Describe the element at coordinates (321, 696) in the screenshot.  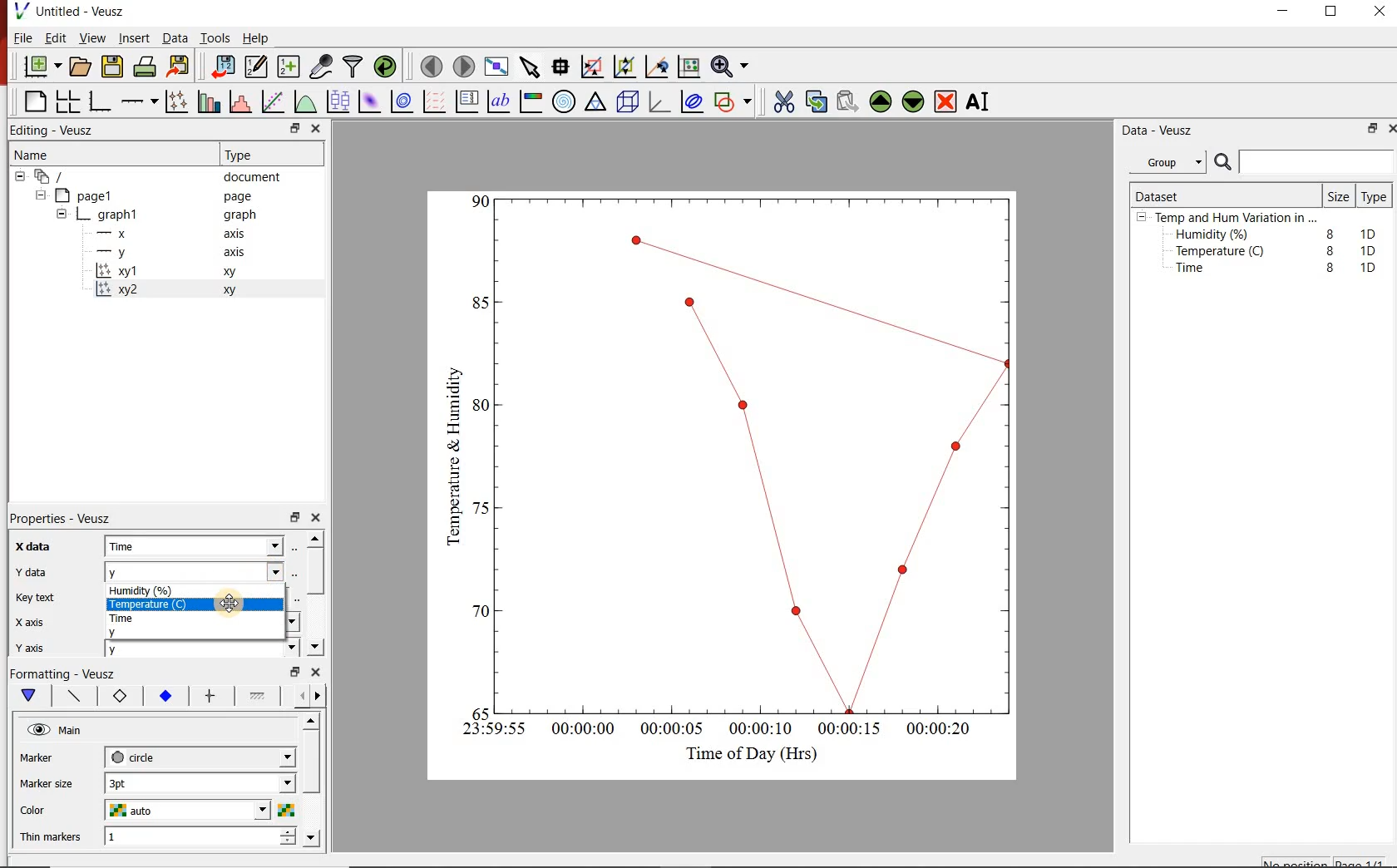
I see `go forward` at that location.